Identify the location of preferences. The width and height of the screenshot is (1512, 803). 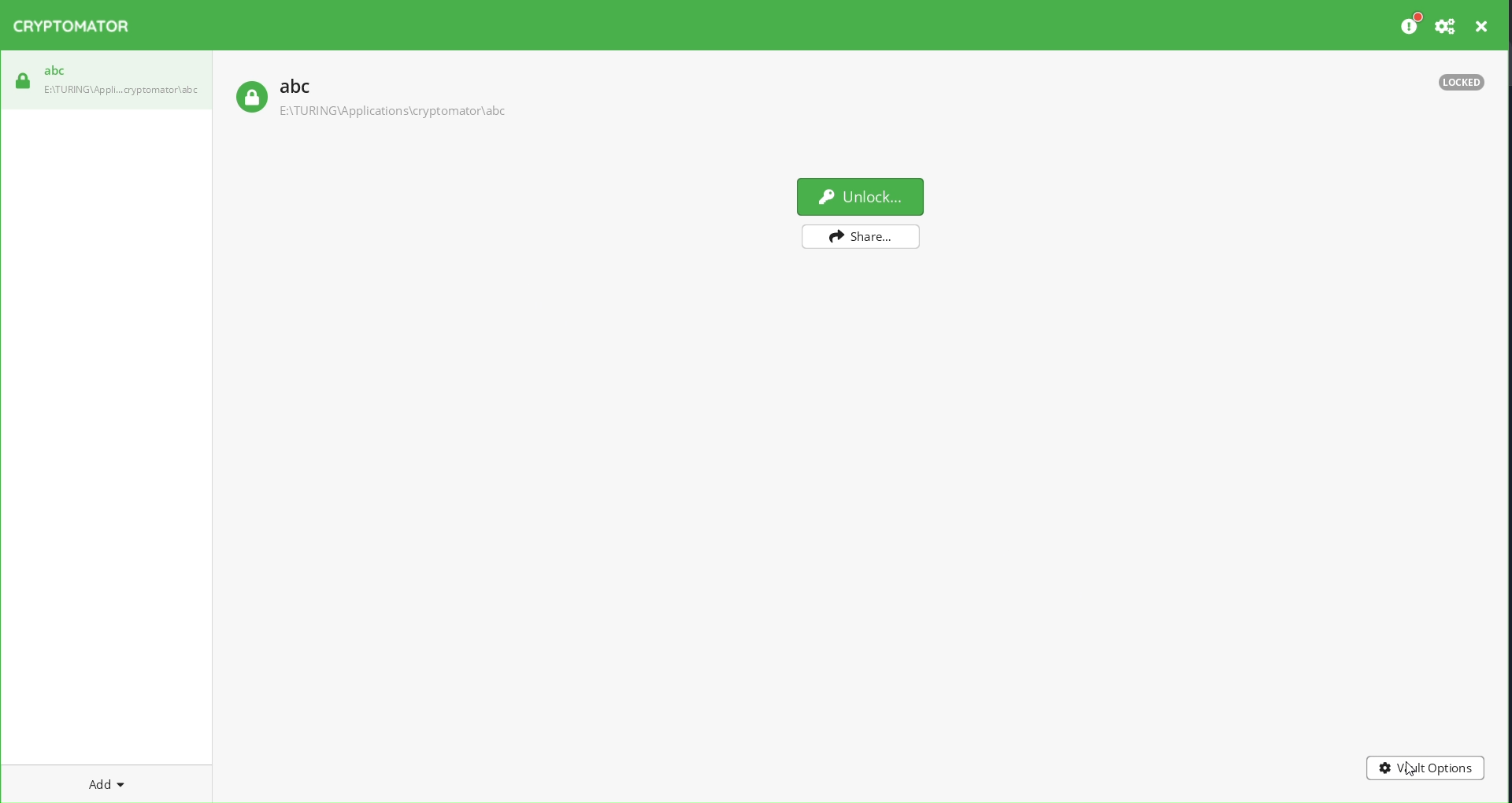
(1408, 24).